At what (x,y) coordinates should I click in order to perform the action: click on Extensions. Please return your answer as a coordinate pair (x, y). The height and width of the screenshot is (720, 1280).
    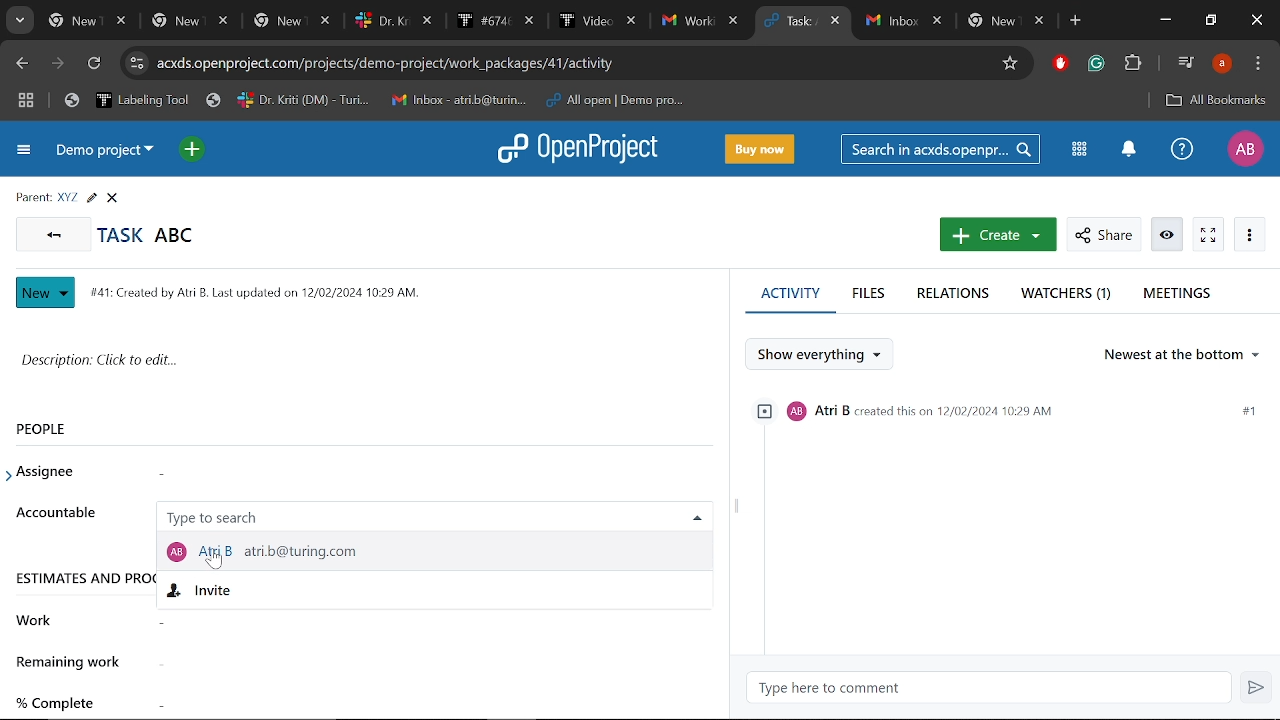
    Looking at the image, I should click on (1132, 64).